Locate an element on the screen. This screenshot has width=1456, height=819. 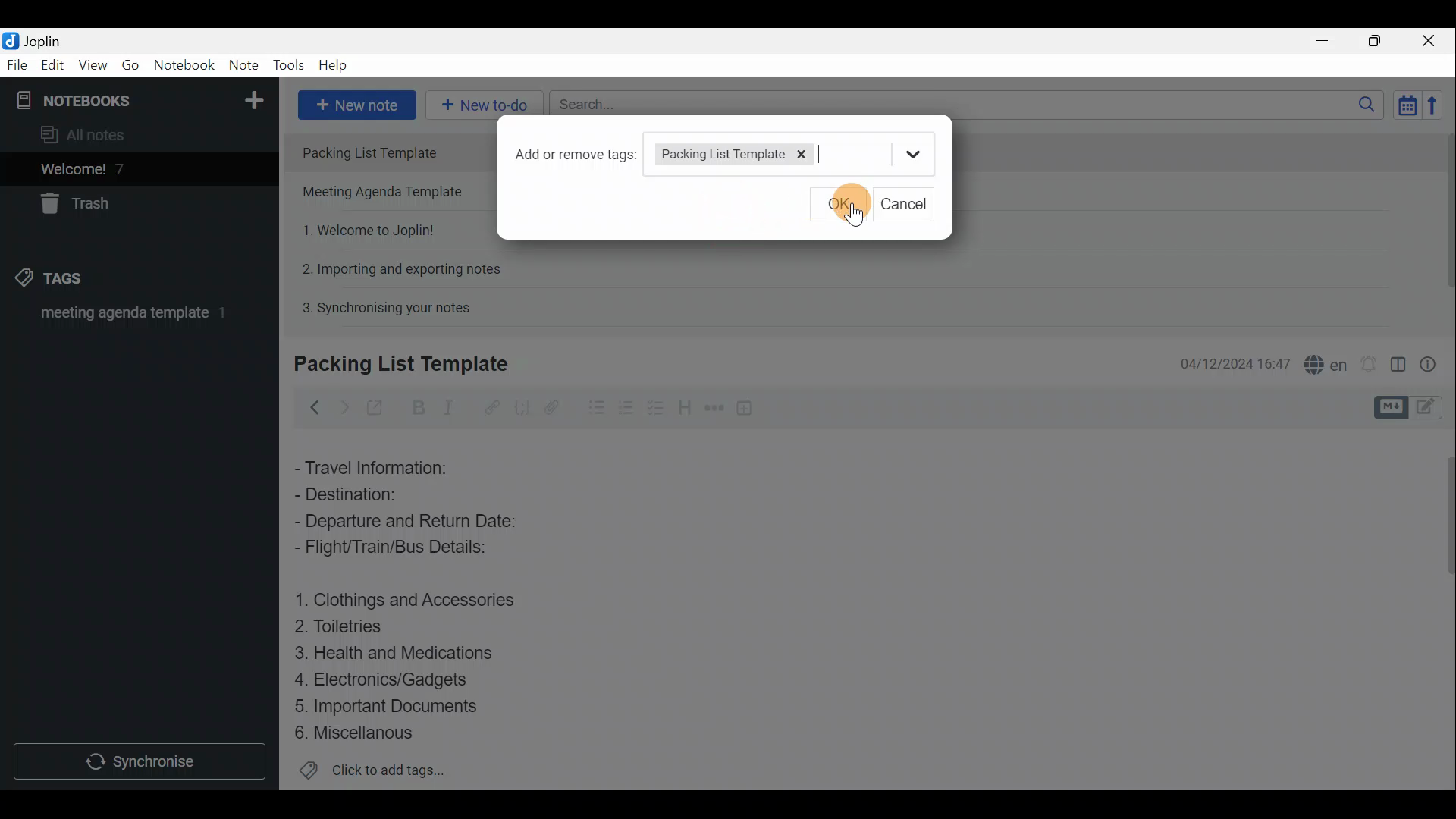
Notebook is located at coordinates (184, 67).